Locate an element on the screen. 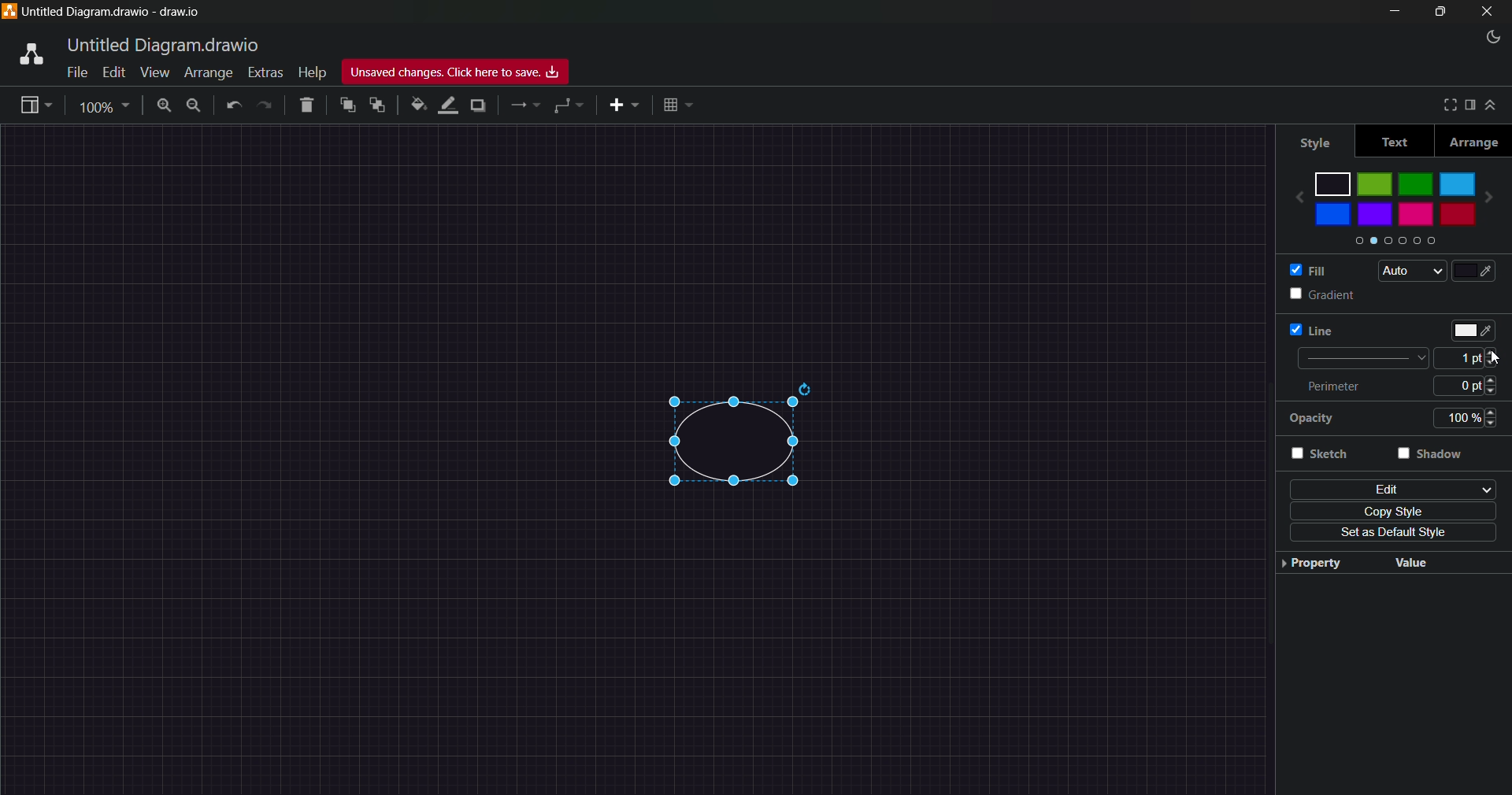  rotate current diagram is located at coordinates (808, 388).